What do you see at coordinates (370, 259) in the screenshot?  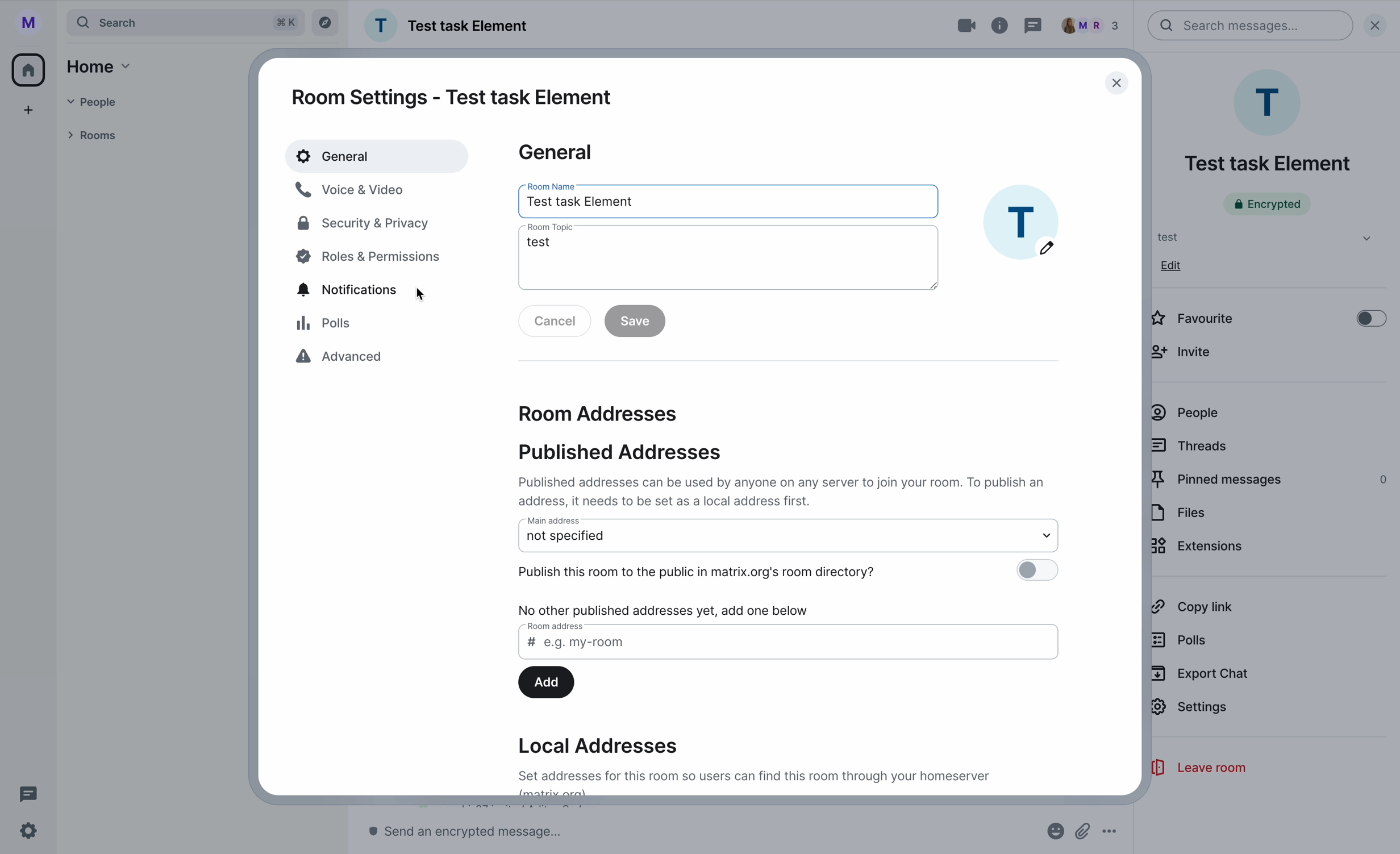 I see `poles and permissions` at bounding box center [370, 259].